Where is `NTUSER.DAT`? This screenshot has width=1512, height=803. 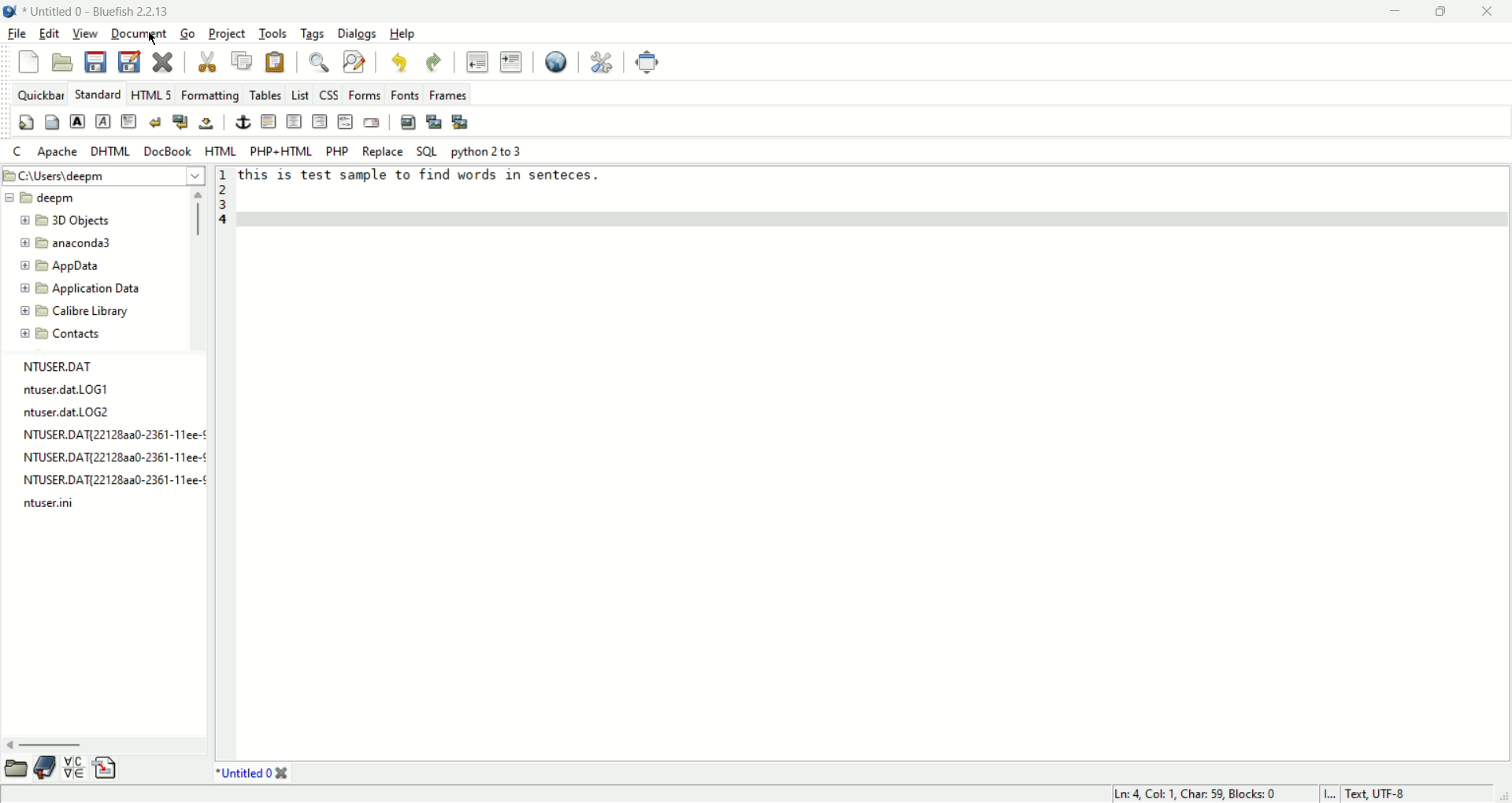 NTUSER.DAT is located at coordinates (75, 366).